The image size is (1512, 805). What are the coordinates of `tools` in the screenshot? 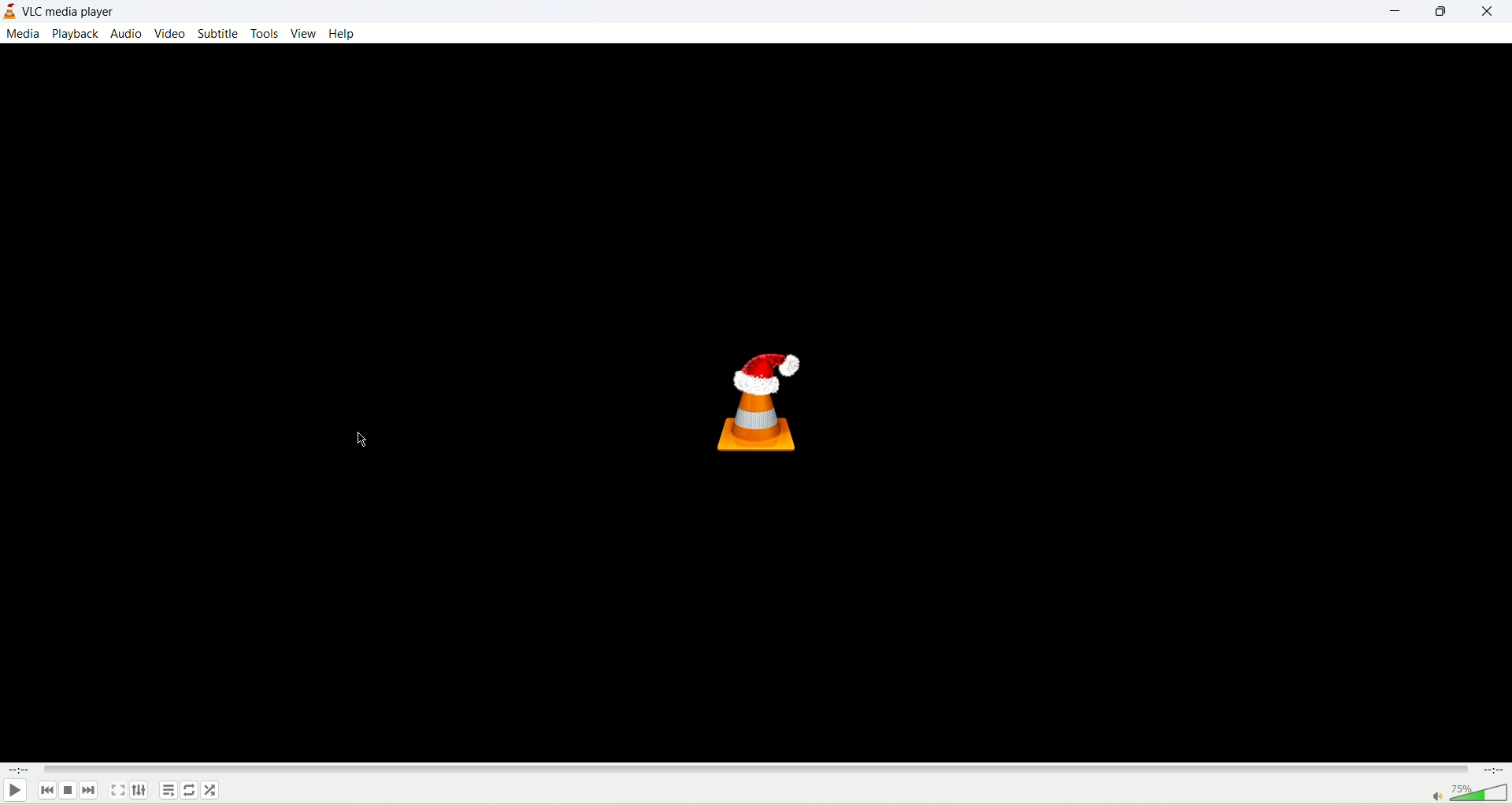 It's located at (264, 34).